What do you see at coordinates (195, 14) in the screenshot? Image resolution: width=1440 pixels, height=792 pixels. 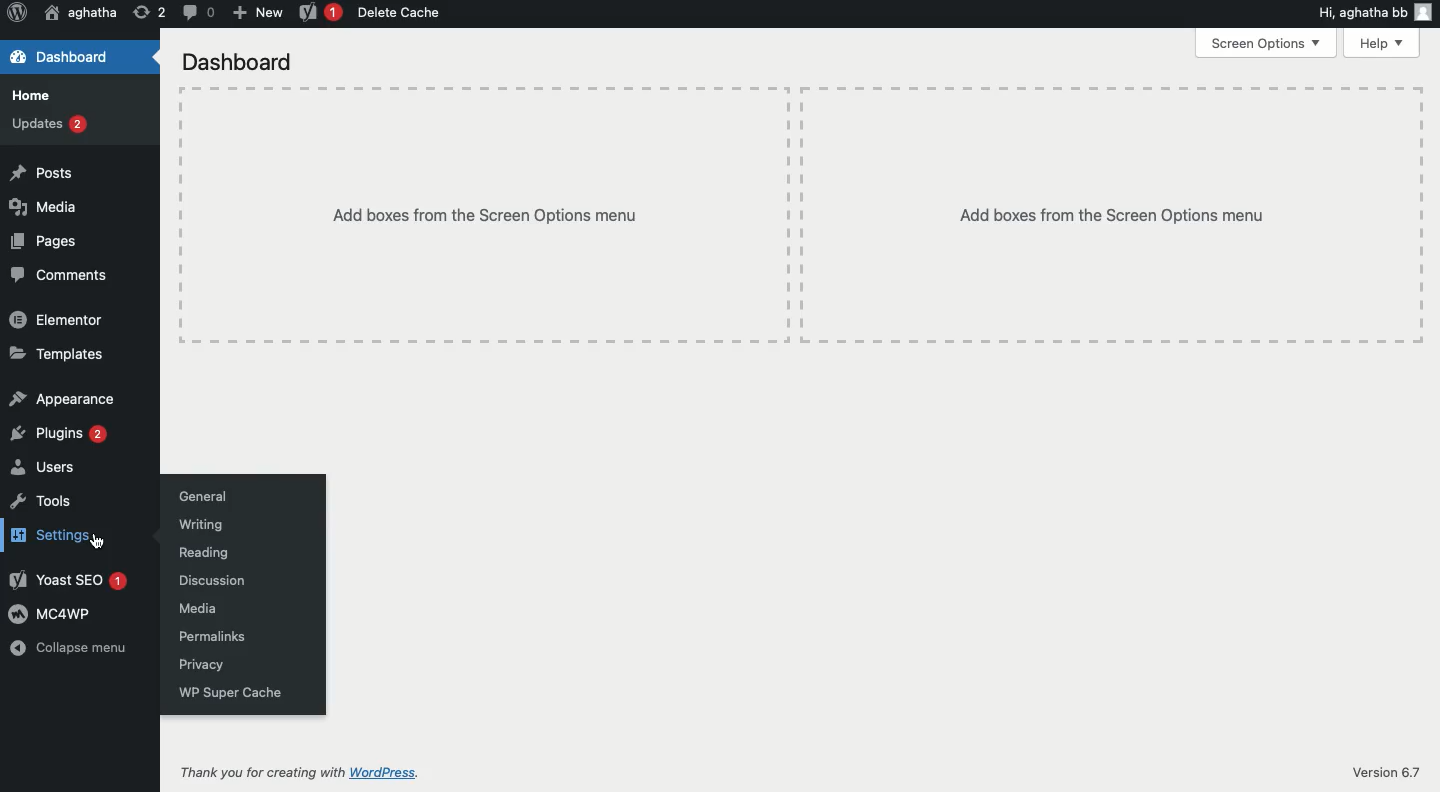 I see `Comment` at bounding box center [195, 14].